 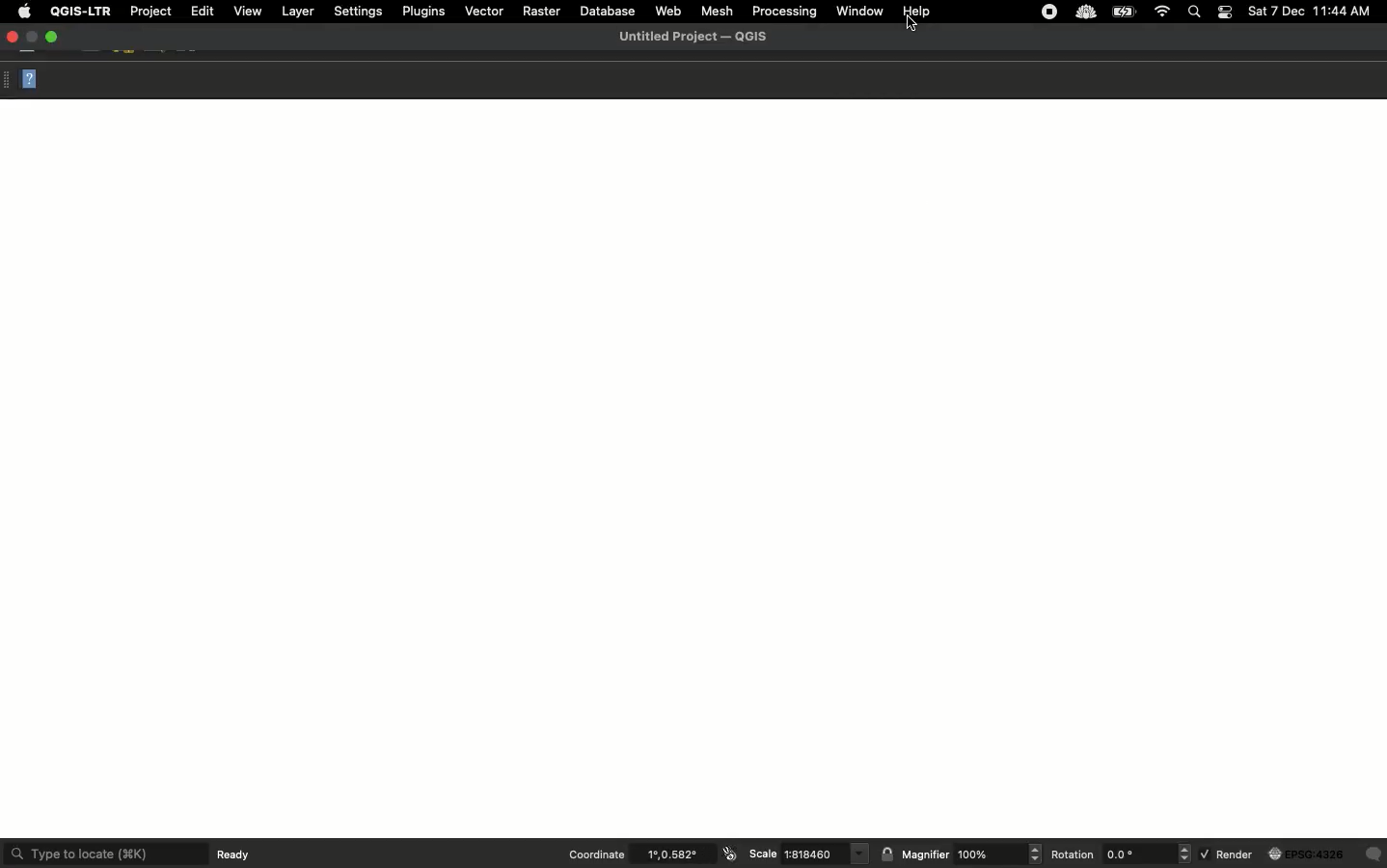 What do you see at coordinates (697, 36) in the screenshot?
I see `QGIS` at bounding box center [697, 36].